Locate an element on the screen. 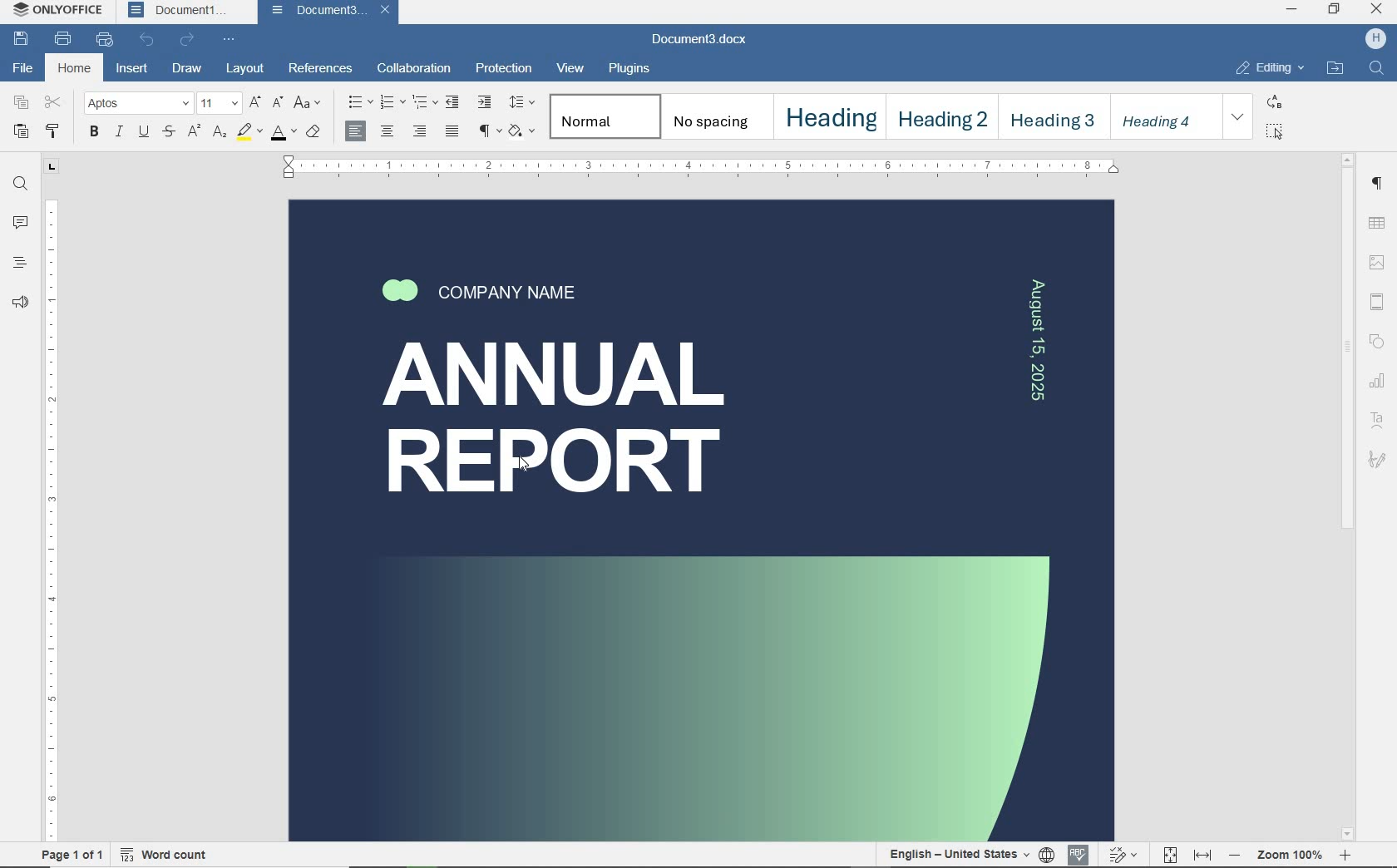 The width and height of the screenshot is (1397, 868). redo is located at coordinates (188, 40).